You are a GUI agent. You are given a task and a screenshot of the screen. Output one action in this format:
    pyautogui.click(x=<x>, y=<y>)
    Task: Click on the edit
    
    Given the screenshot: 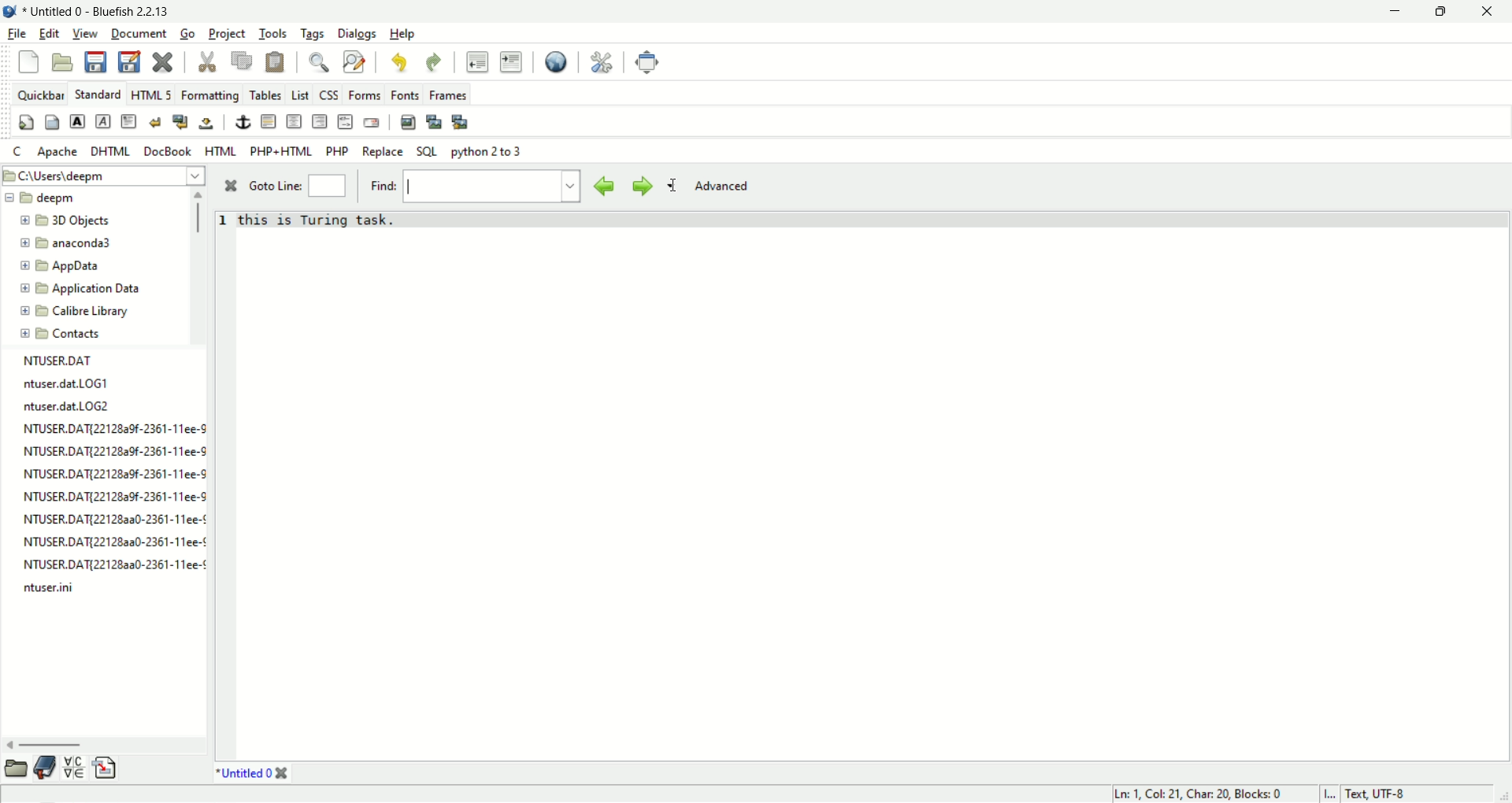 What is the action you would take?
    pyautogui.click(x=46, y=34)
    